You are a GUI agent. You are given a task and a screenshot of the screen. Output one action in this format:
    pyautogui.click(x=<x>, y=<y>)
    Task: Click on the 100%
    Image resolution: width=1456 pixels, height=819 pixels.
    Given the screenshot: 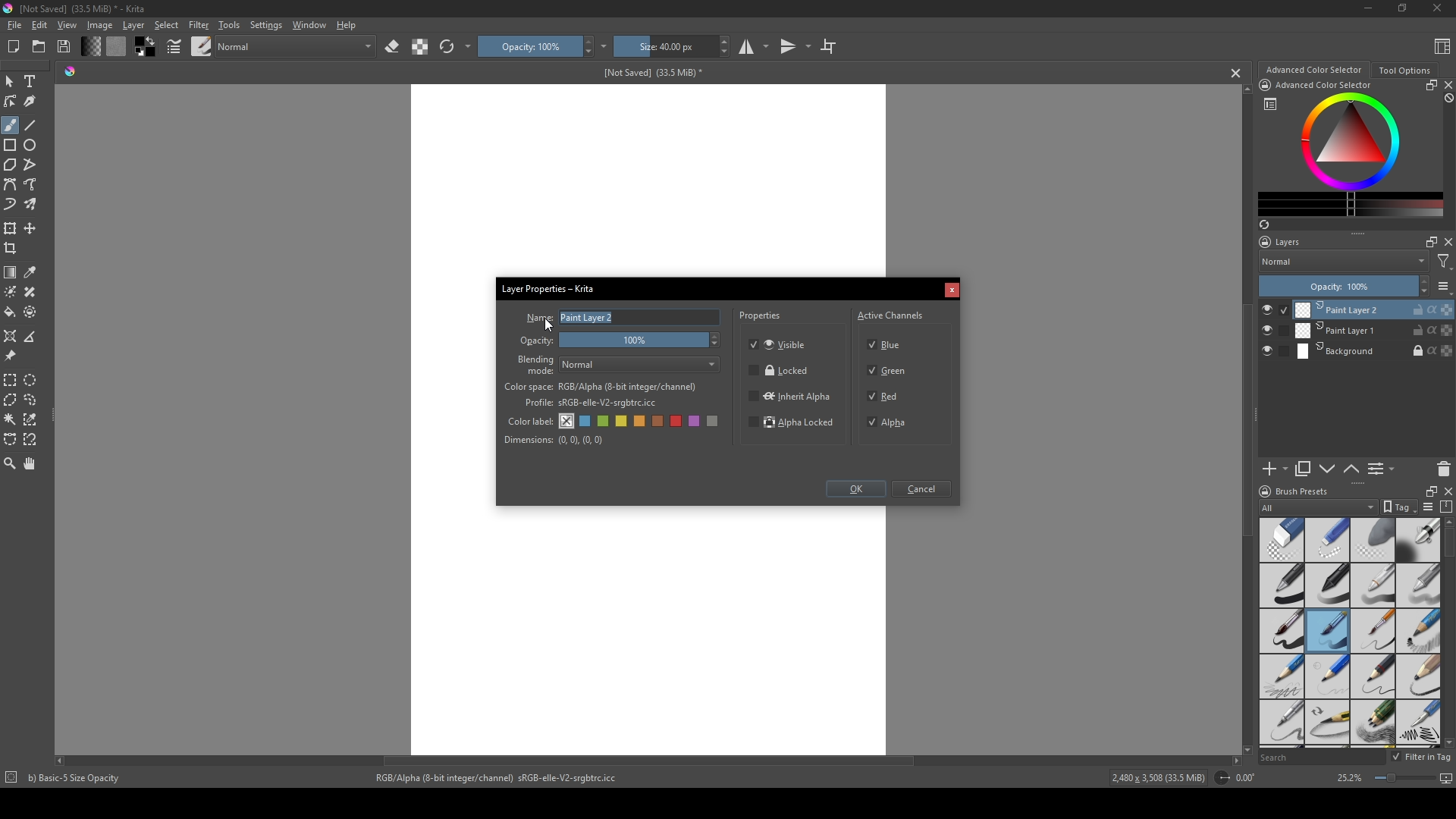 What is the action you would take?
    pyautogui.click(x=642, y=341)
    